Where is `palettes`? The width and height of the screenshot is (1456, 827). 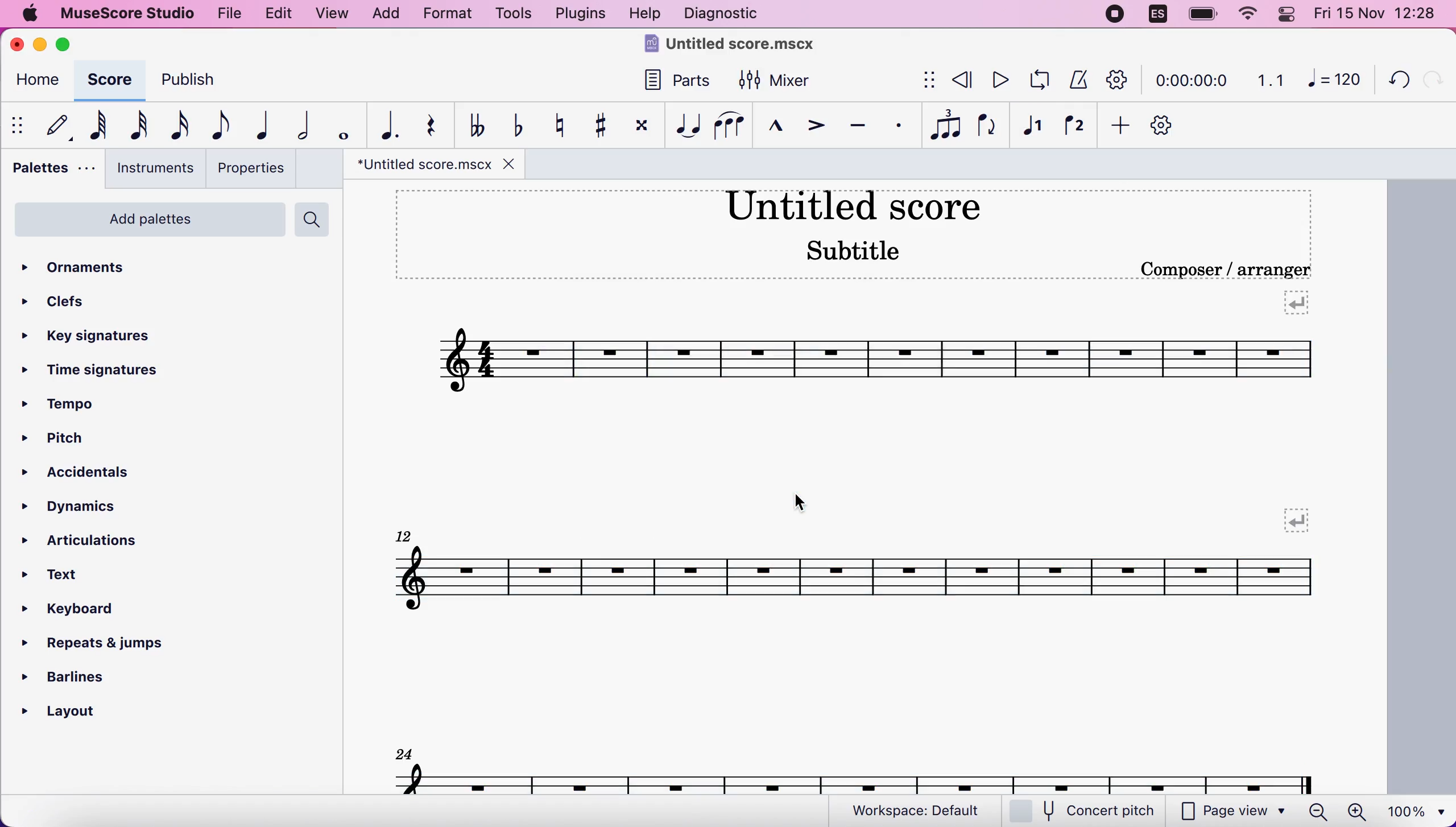
palettes is located at coordinates (50, 171).